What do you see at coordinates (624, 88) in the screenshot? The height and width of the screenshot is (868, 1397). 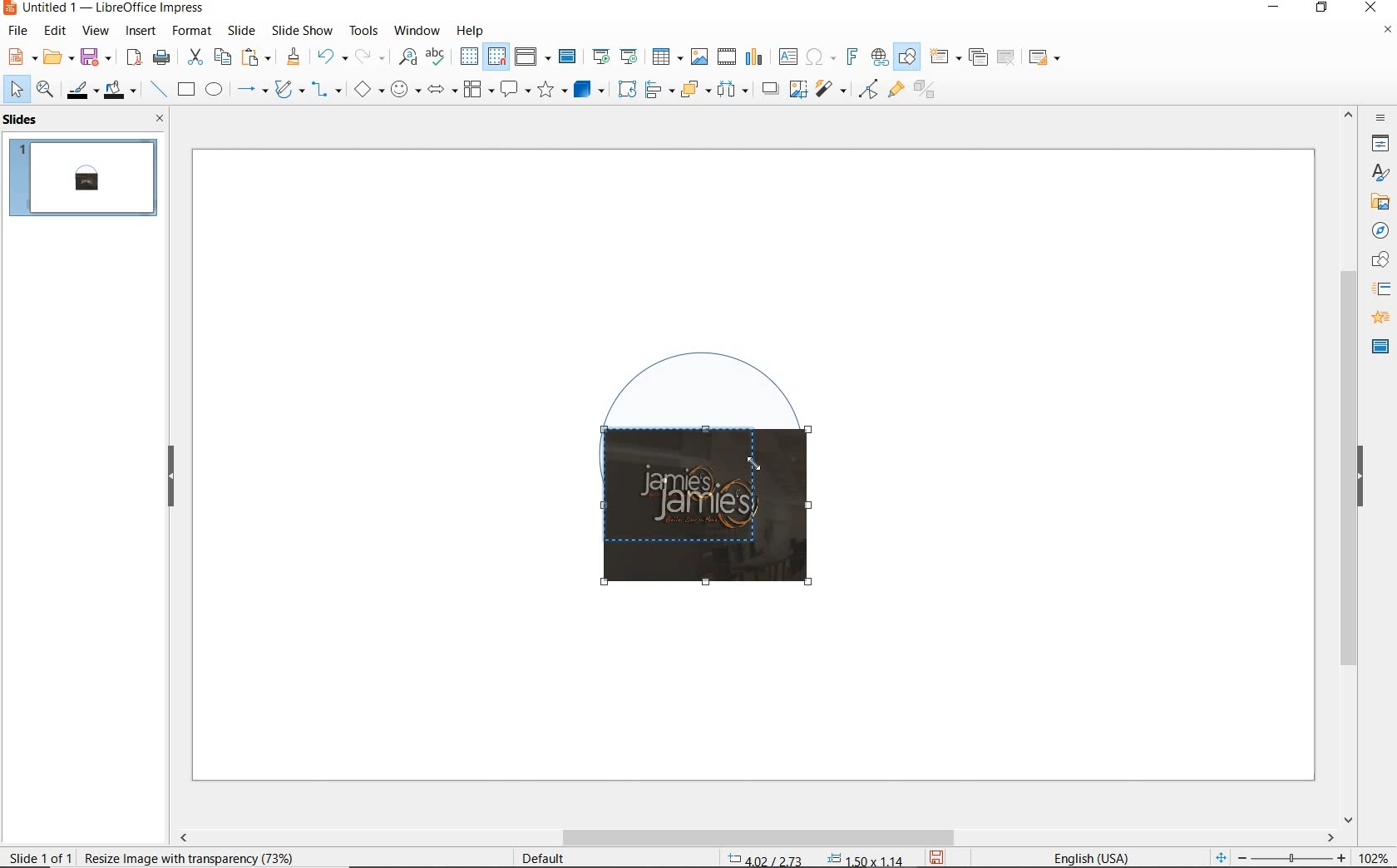 I see `rotate` at bounding box center [624, 88].